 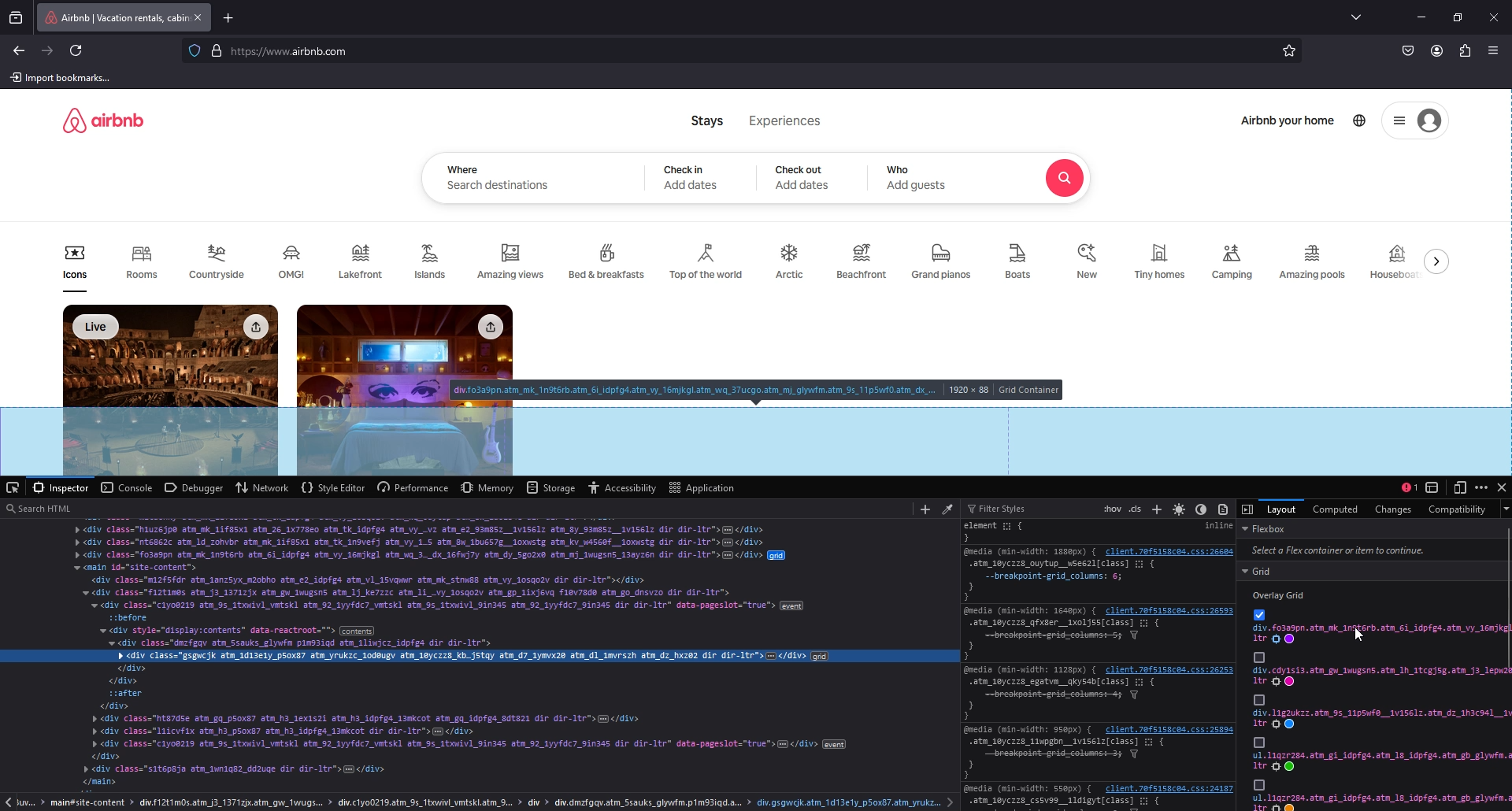 I want to click on swipe to right, so click(x=1440, y=261).